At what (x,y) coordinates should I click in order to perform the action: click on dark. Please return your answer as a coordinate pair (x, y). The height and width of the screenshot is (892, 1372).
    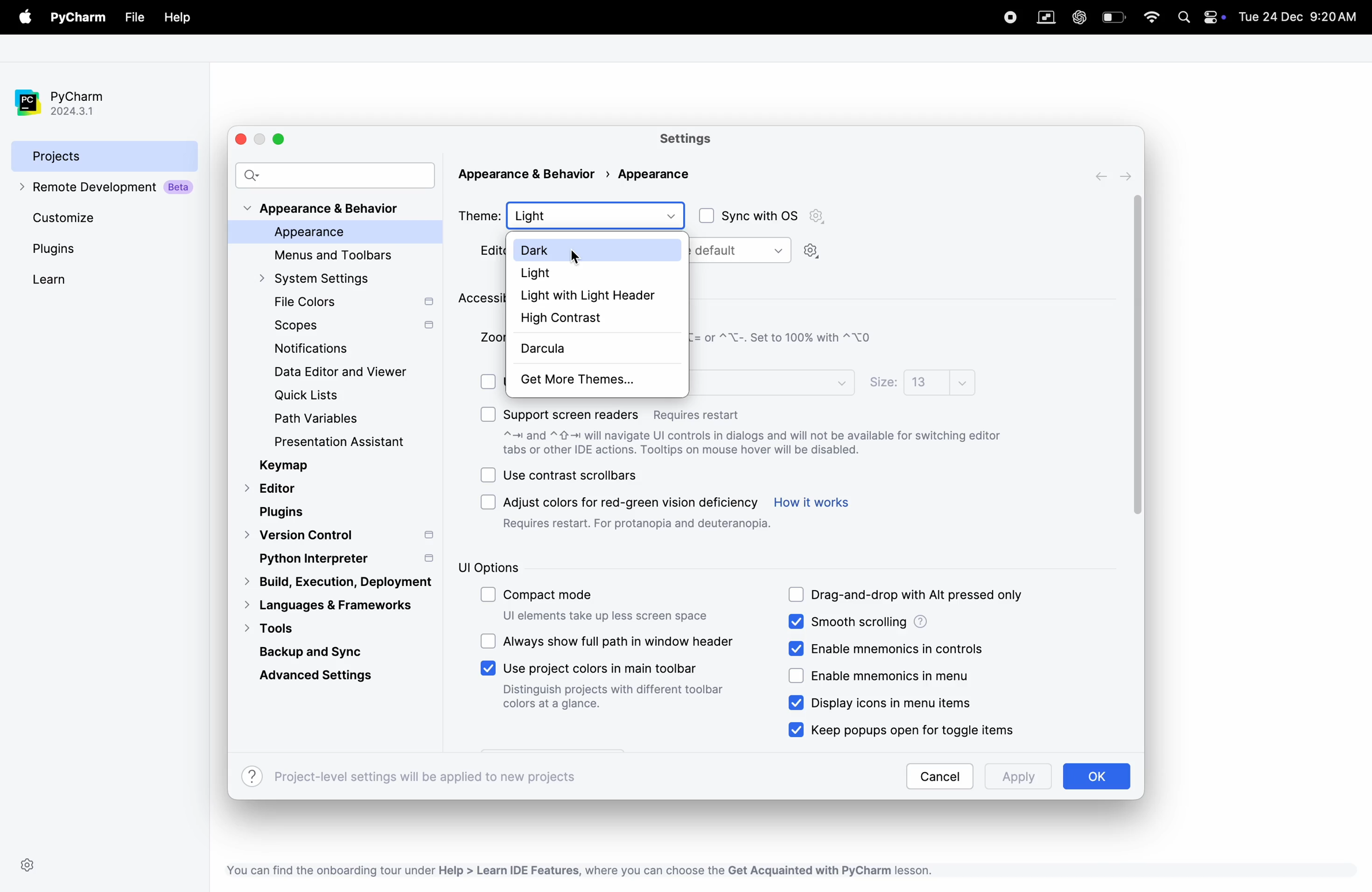
    Looking at the image, I should click on (599, 249).